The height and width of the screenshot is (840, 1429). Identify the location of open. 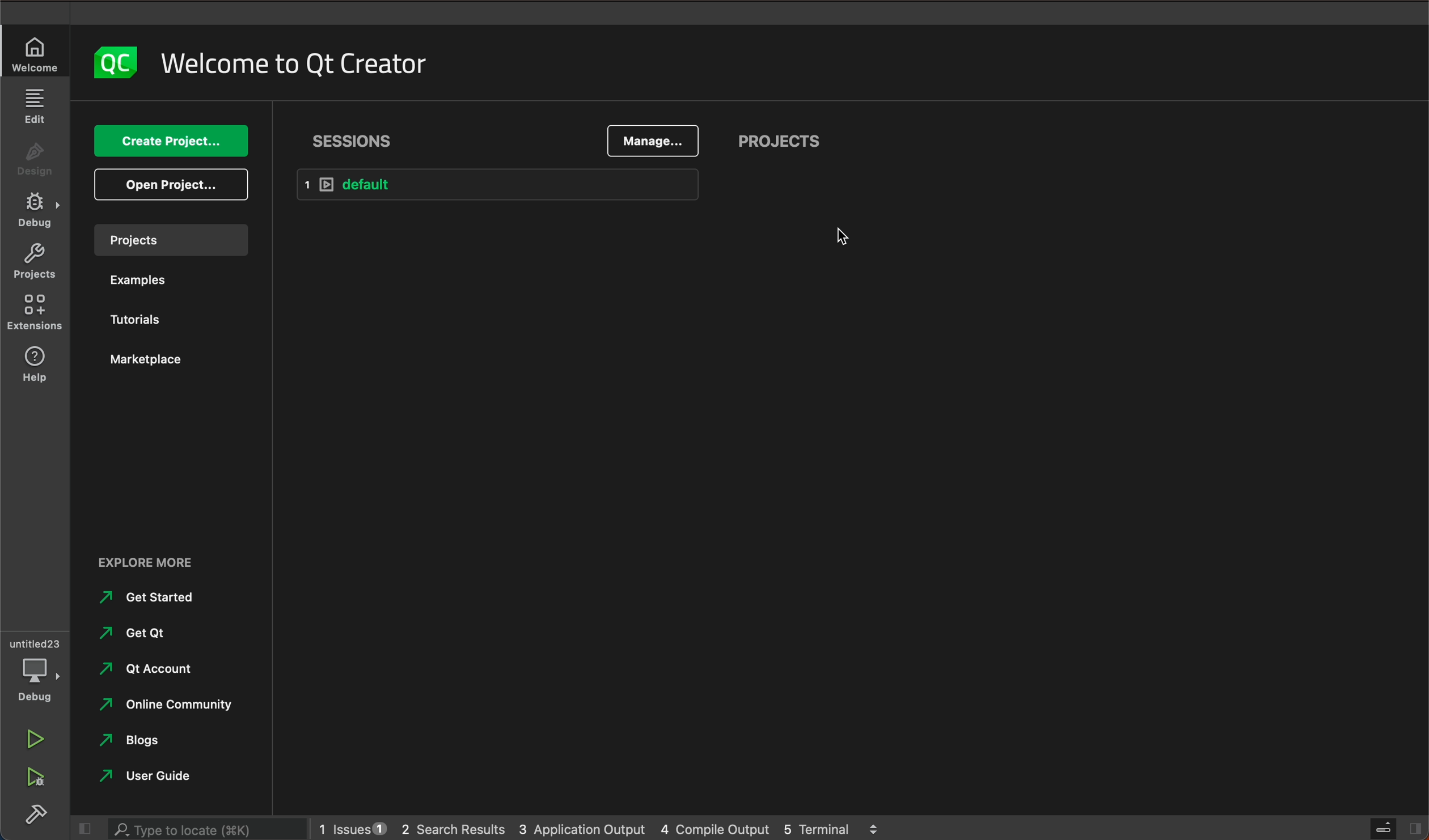
(169, 186).